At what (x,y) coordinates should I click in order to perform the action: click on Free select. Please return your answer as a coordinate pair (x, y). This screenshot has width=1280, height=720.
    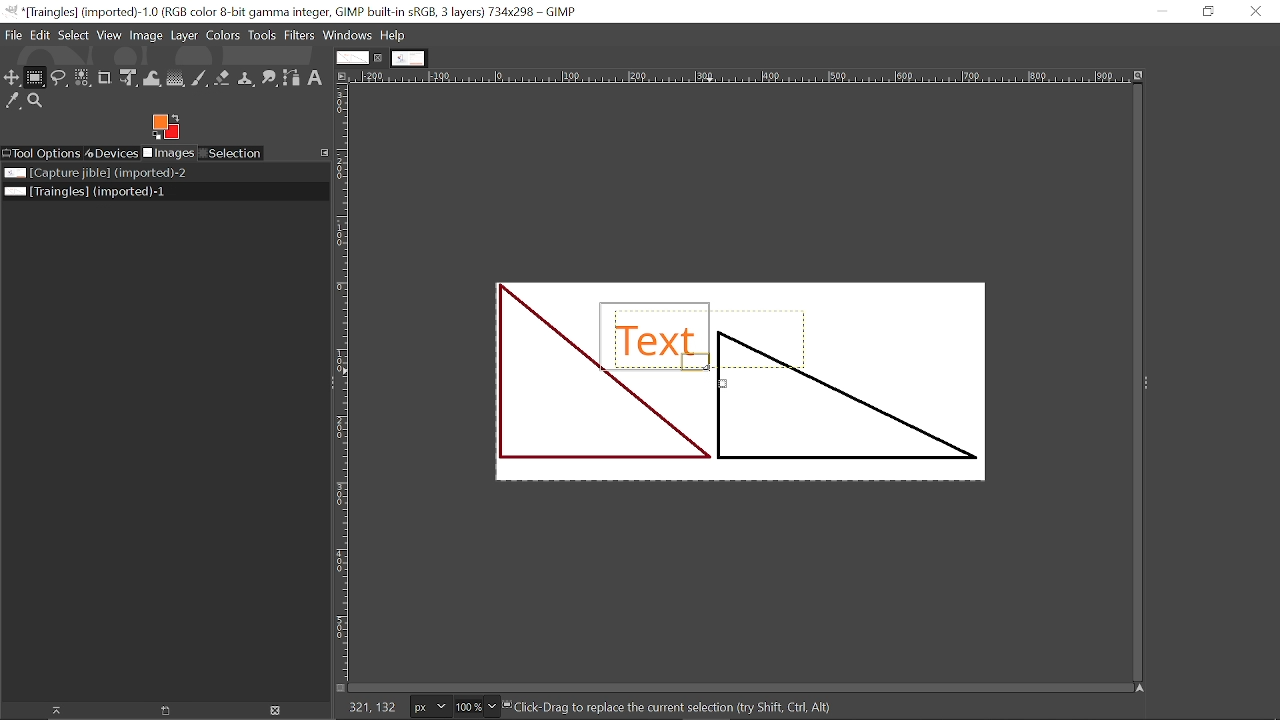
    Looking at the image, I should click on (60, 77).